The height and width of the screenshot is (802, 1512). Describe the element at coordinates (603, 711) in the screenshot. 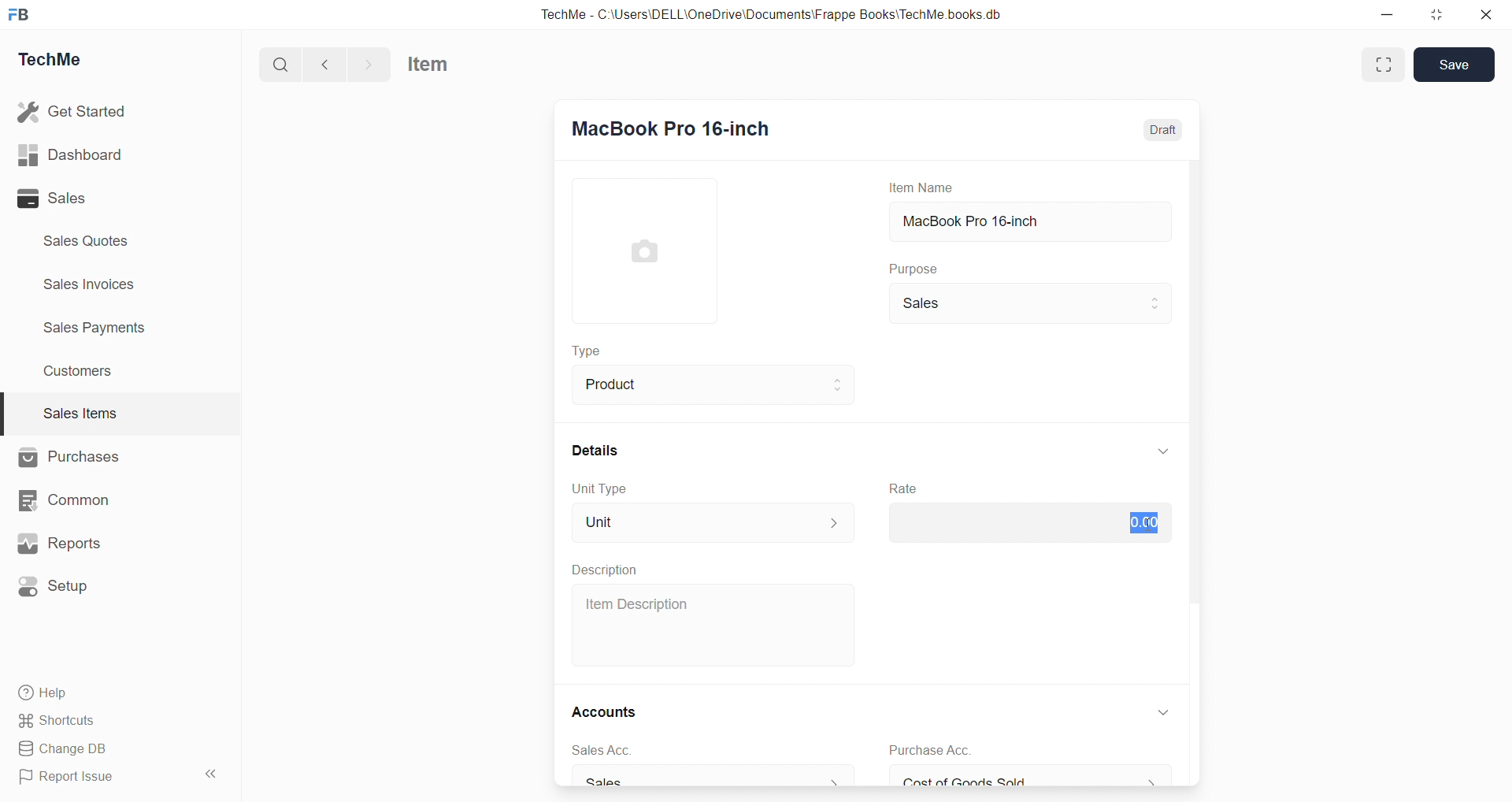

I see `Accounts` at that location.